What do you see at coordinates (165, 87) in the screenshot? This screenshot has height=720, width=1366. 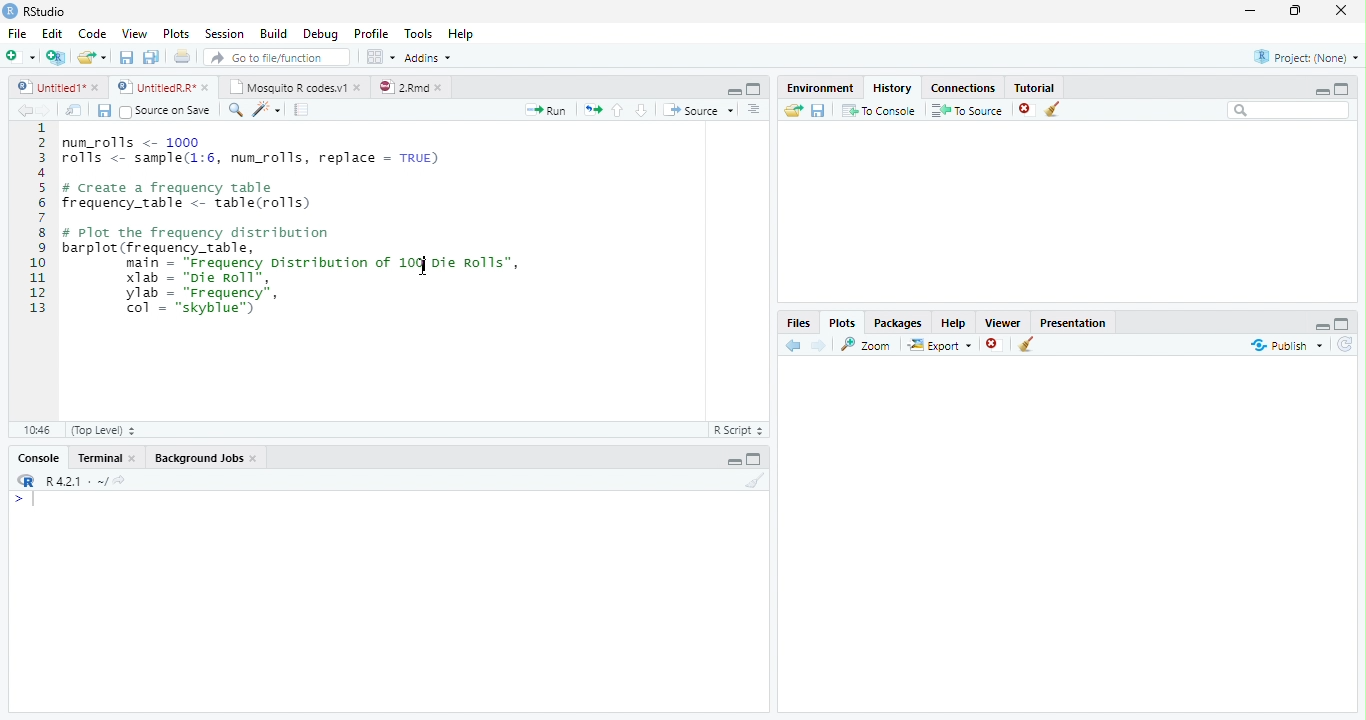 I see `© UntitedRR* *` at bounding box center [165, 87].